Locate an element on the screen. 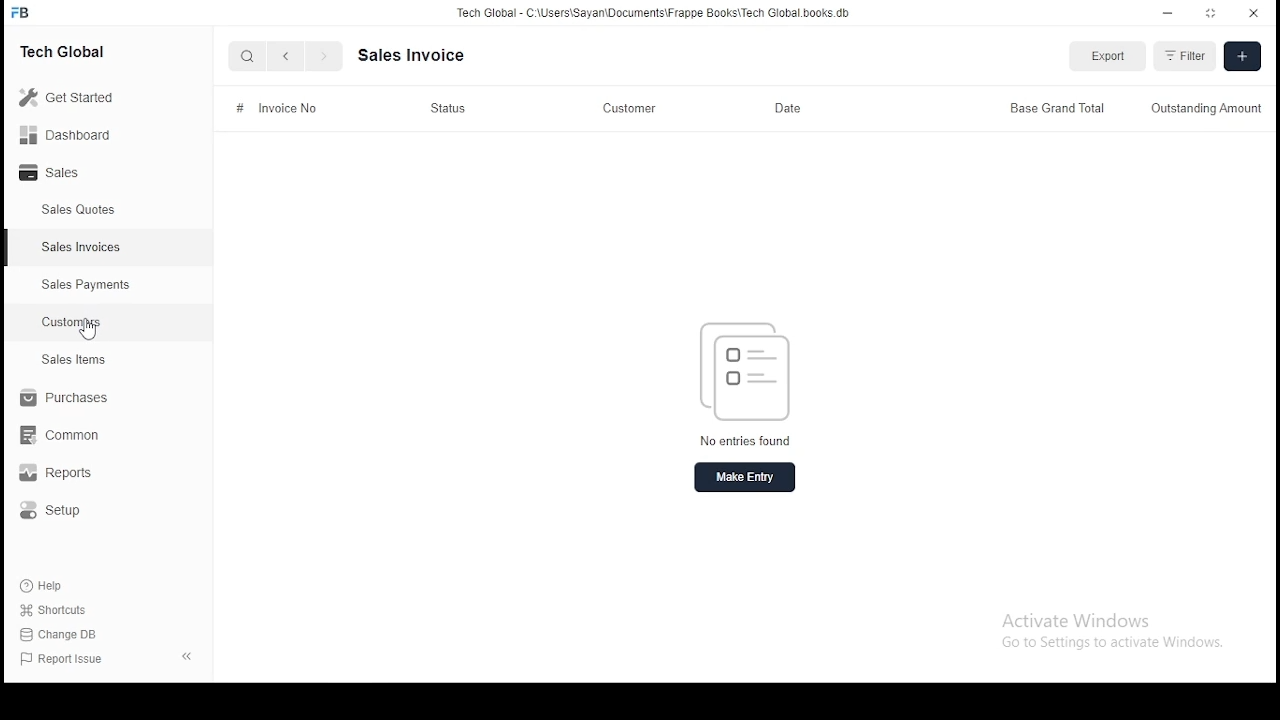 The width and height of the screenshot is (1280, 720). logo is located at coordinates (747, 372).